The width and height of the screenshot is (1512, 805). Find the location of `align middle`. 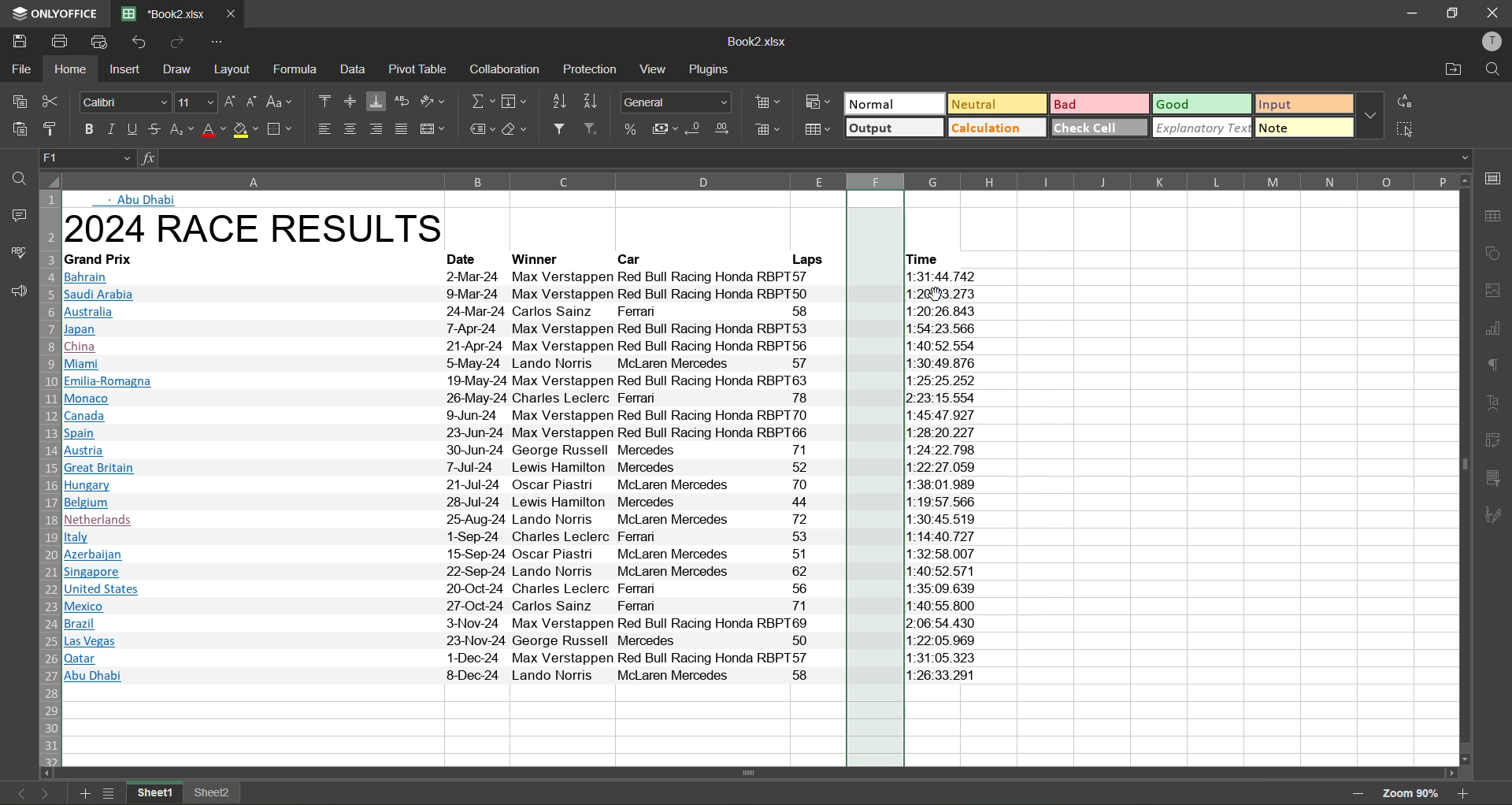

align middle is located at coordinates (350, 100).